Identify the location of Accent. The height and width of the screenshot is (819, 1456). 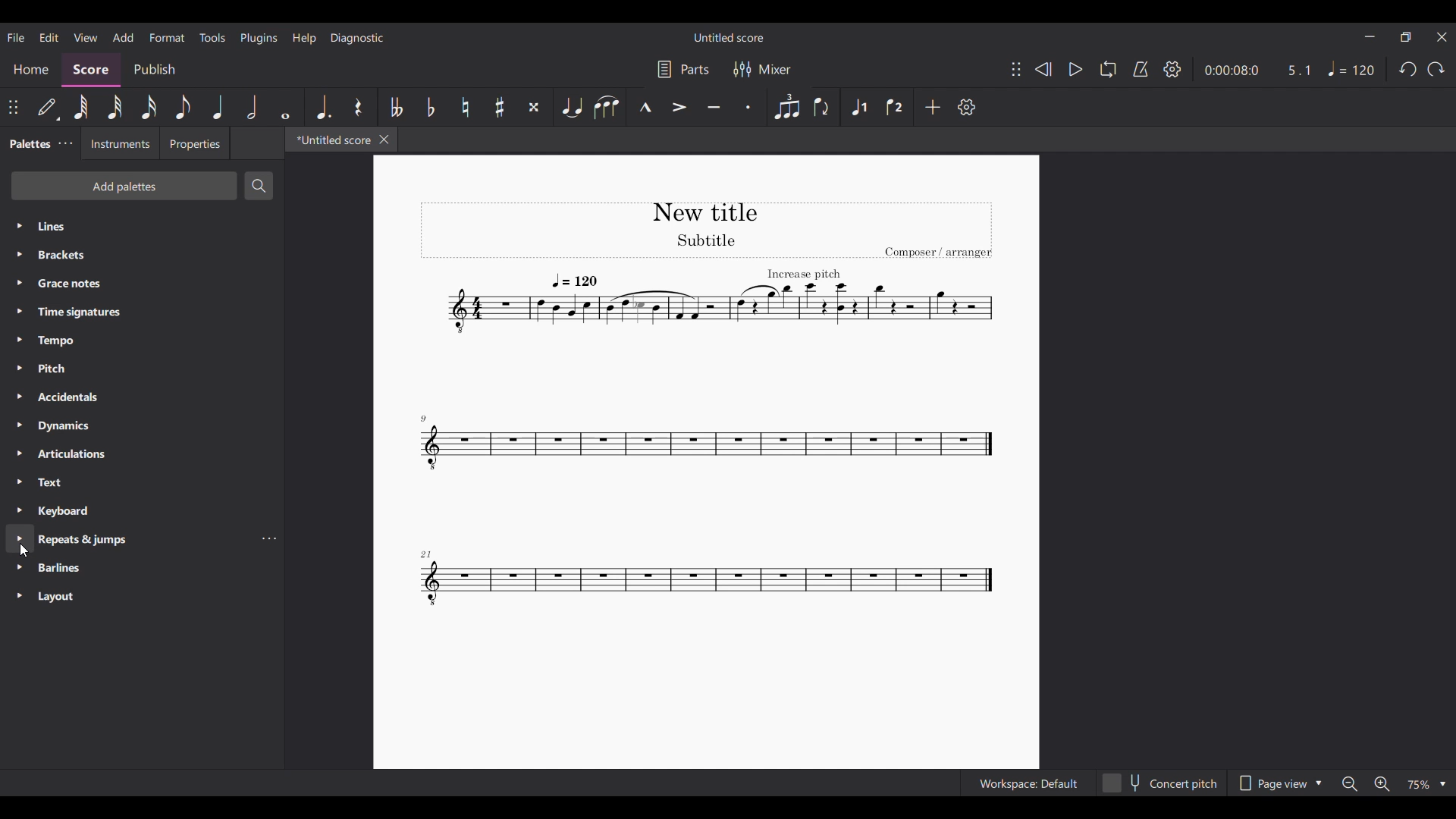
(680, 108).